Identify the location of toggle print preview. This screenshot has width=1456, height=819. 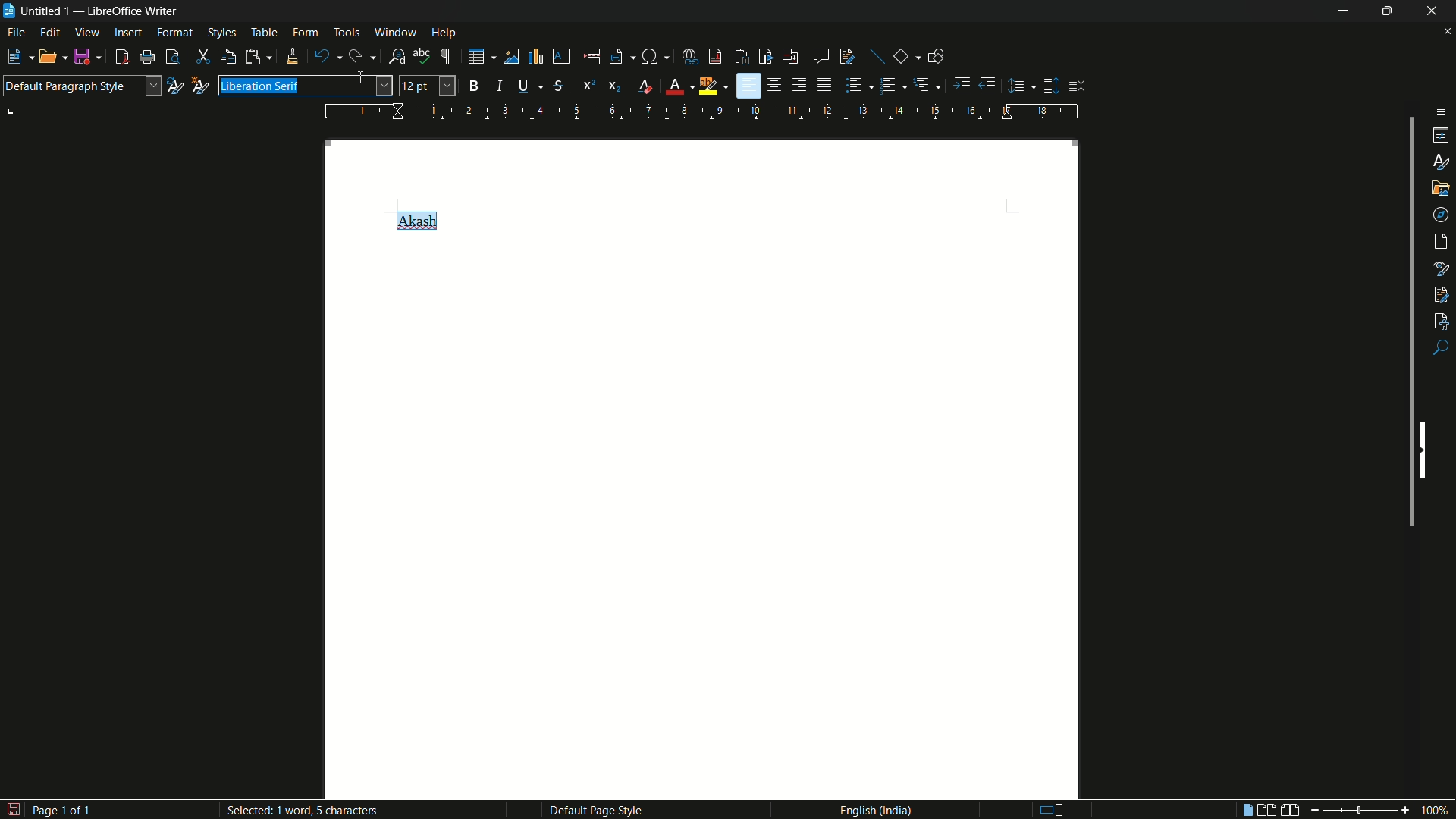
(173, 57).